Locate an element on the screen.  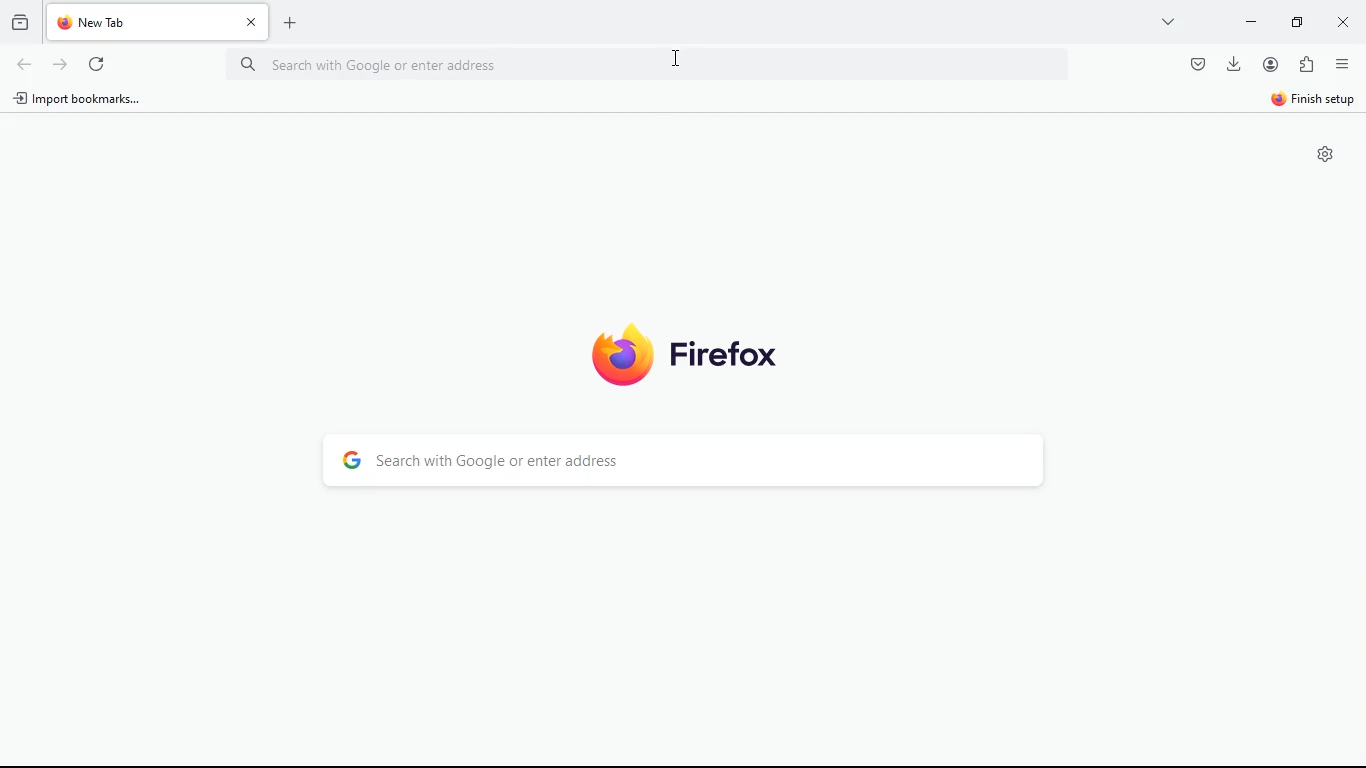
hystoric is located at coordinates (22, 20).